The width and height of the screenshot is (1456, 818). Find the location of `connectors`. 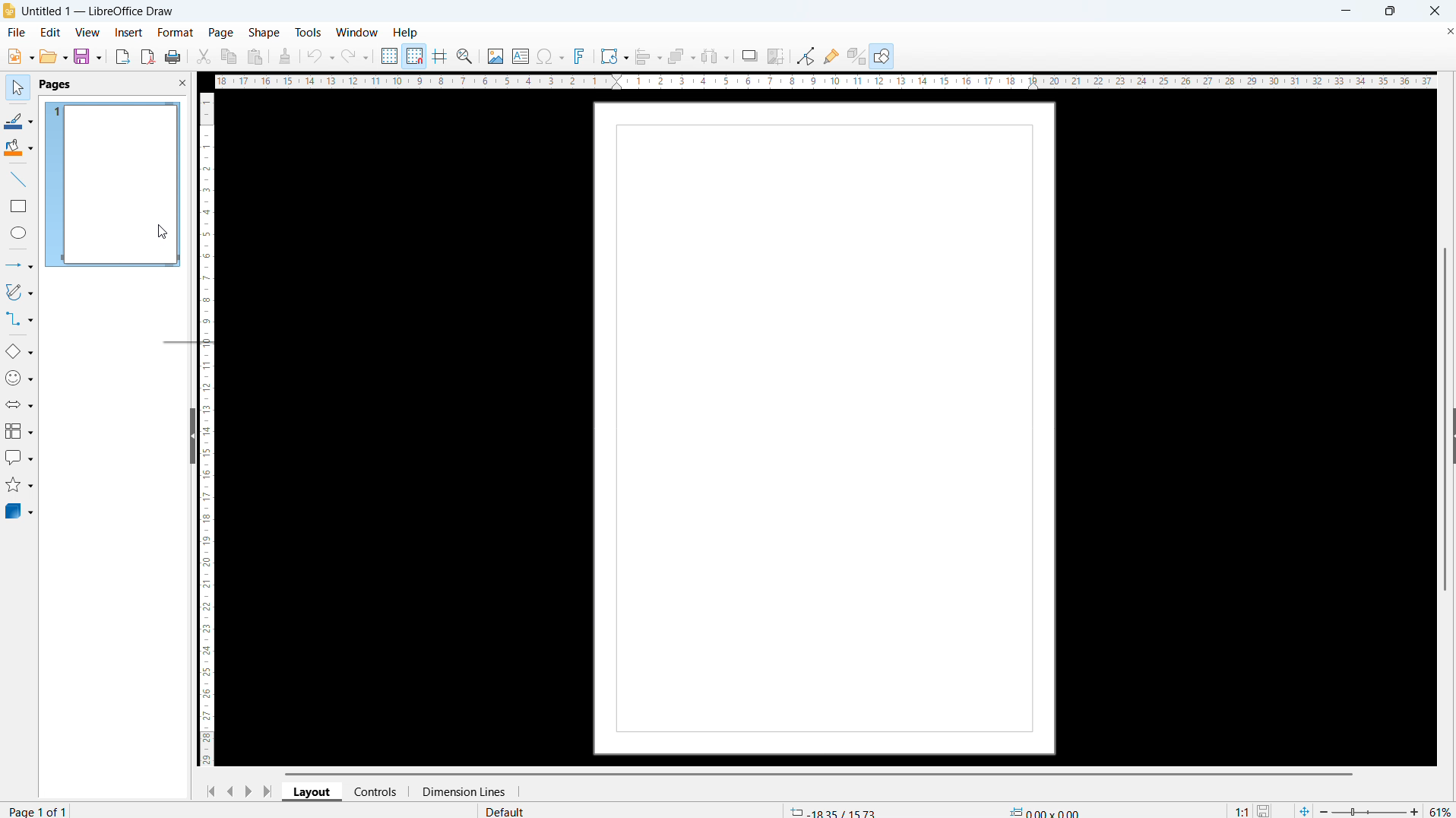

connectors is located at coordinates (19, 320).